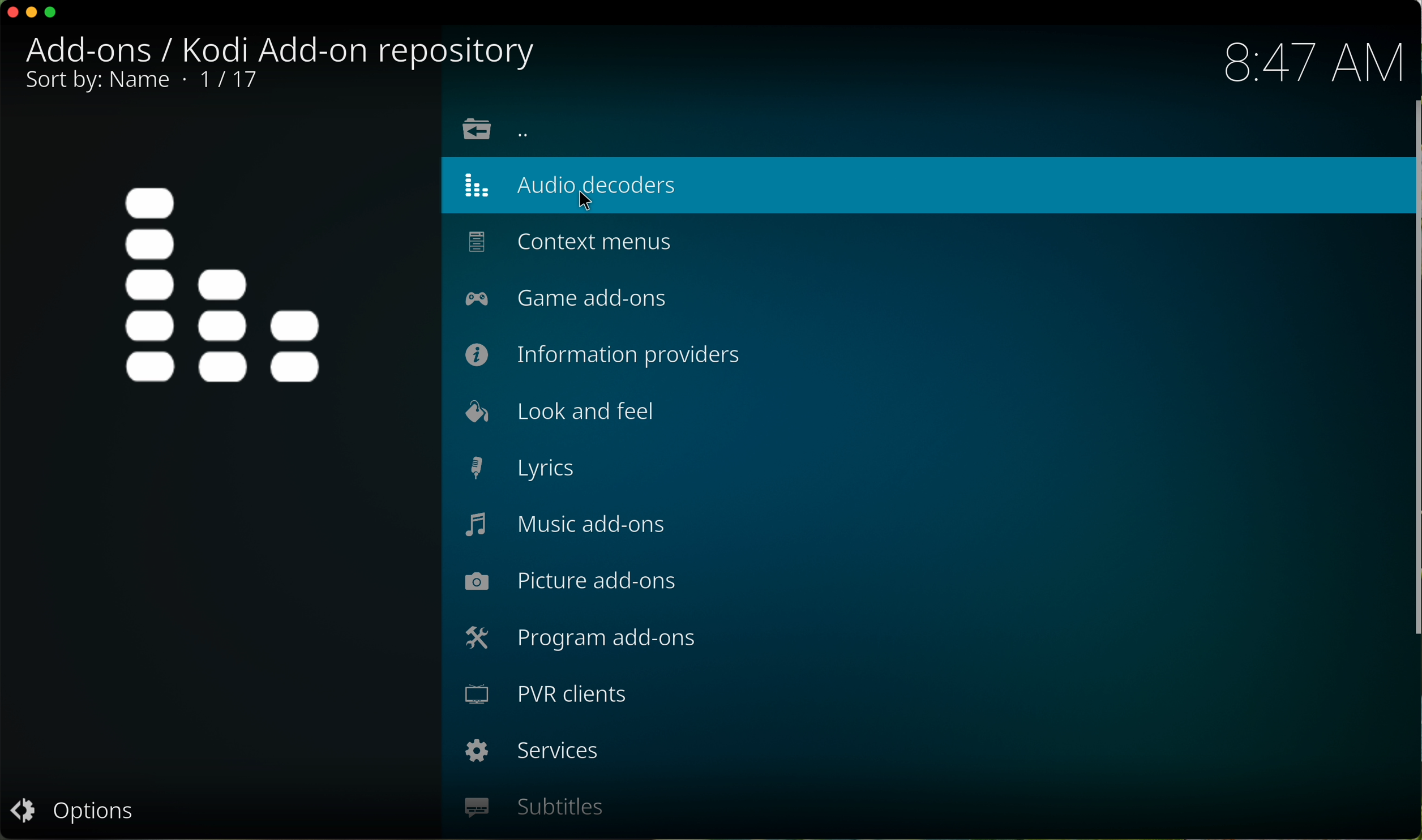 This screenshot has width=1422, height=840. I want to click on scroll bar, so click(1413, 381).